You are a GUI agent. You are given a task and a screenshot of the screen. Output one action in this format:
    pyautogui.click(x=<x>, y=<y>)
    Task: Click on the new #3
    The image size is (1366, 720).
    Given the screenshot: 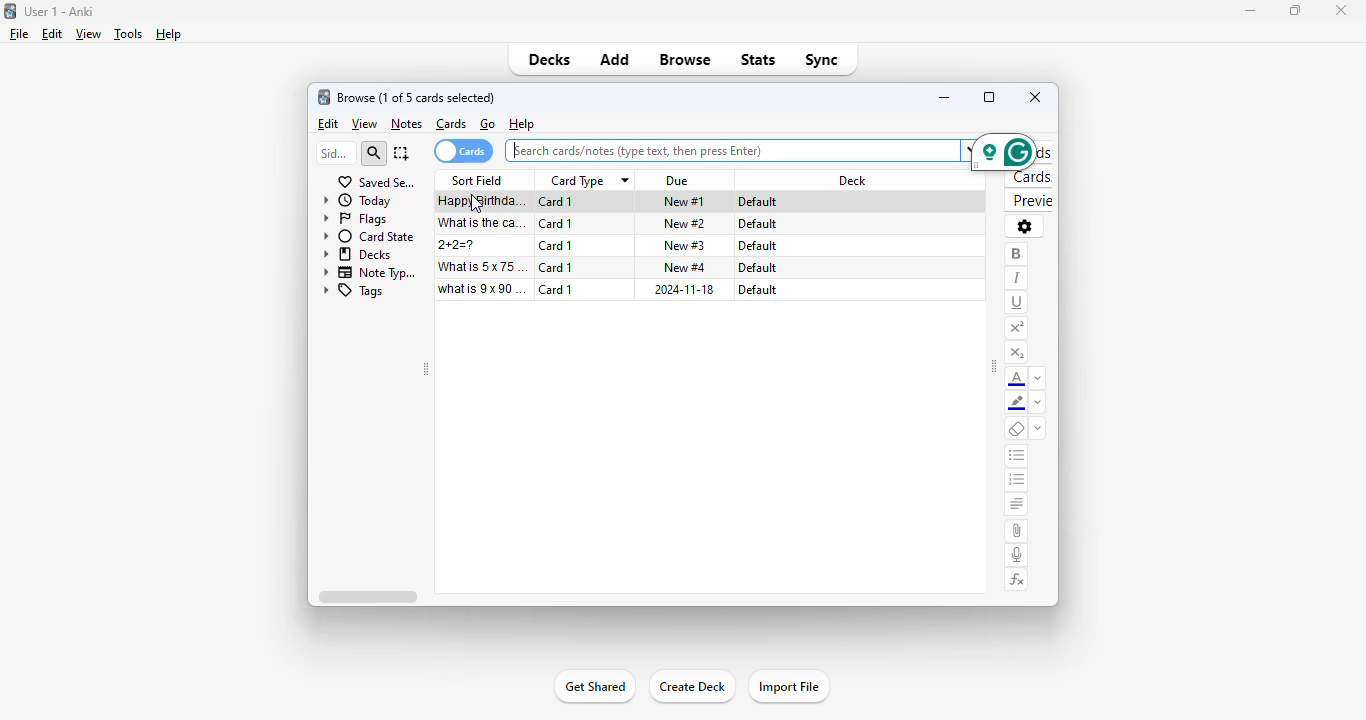 What is the action you would take?
    pyautogui.click(x=684, y=245)
    